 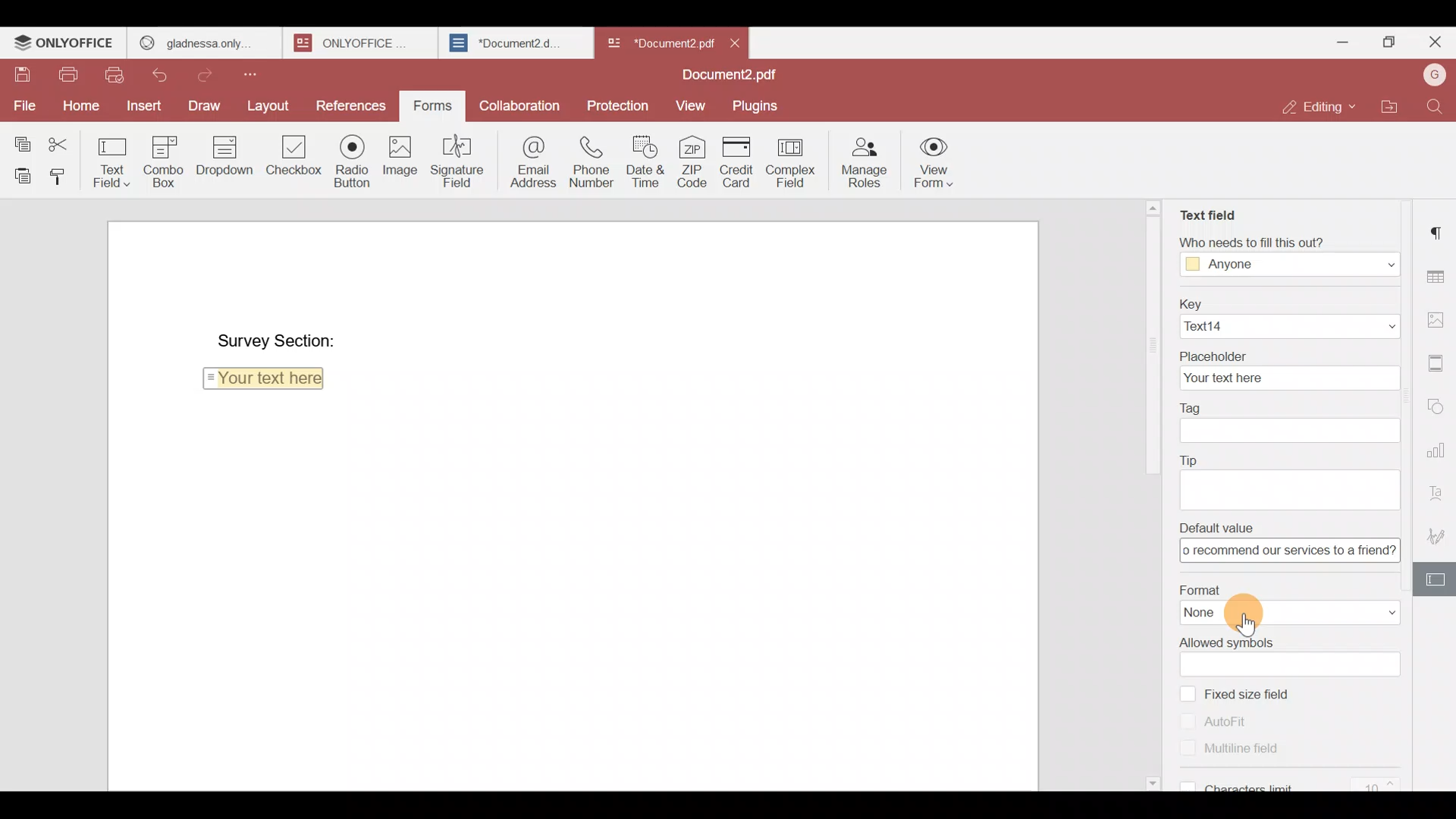 I want to click on Editing mode, so click(x=1321, y=102).